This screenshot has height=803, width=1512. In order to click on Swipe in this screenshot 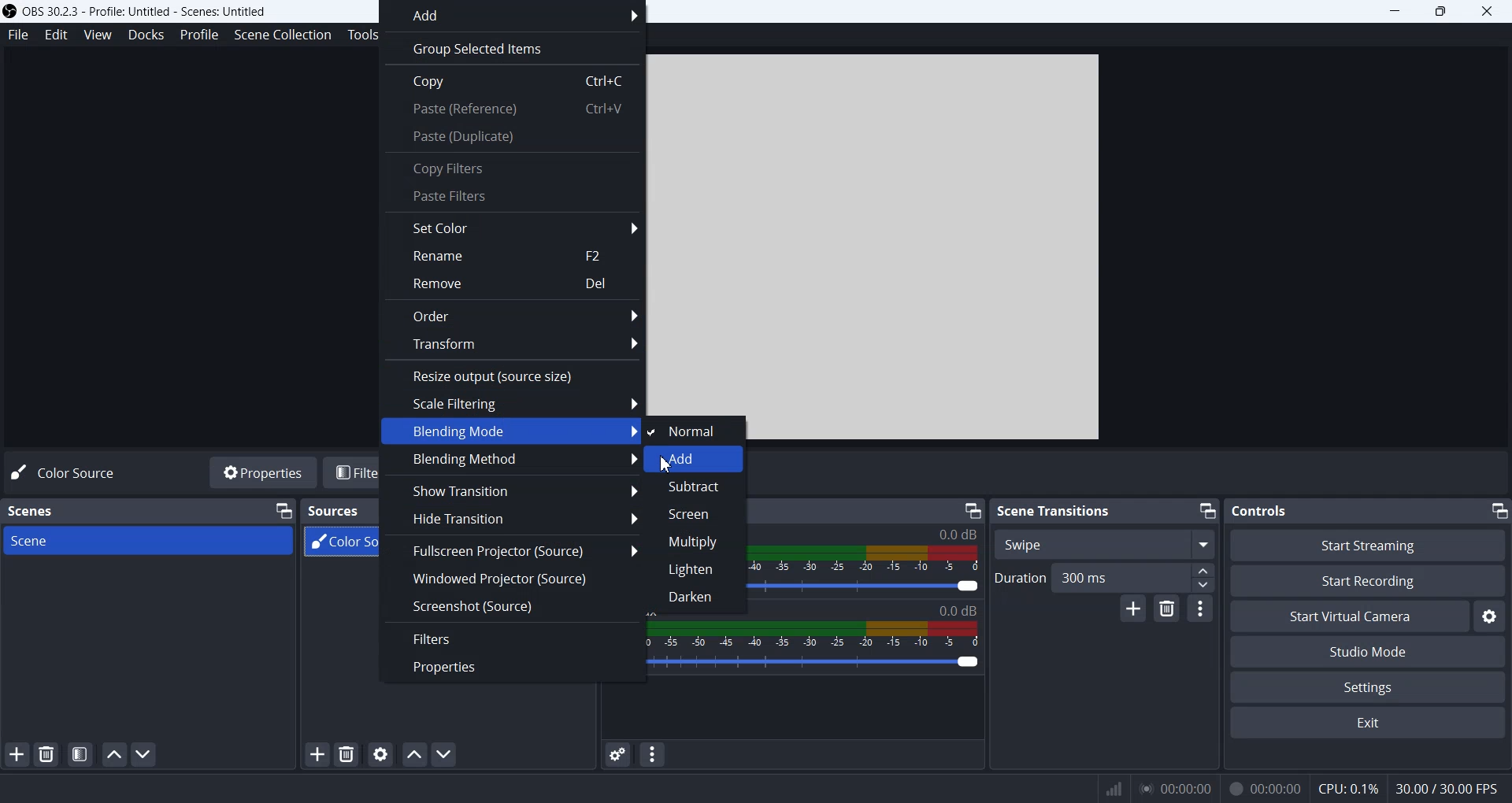, I will do `click(1104, 543)`.